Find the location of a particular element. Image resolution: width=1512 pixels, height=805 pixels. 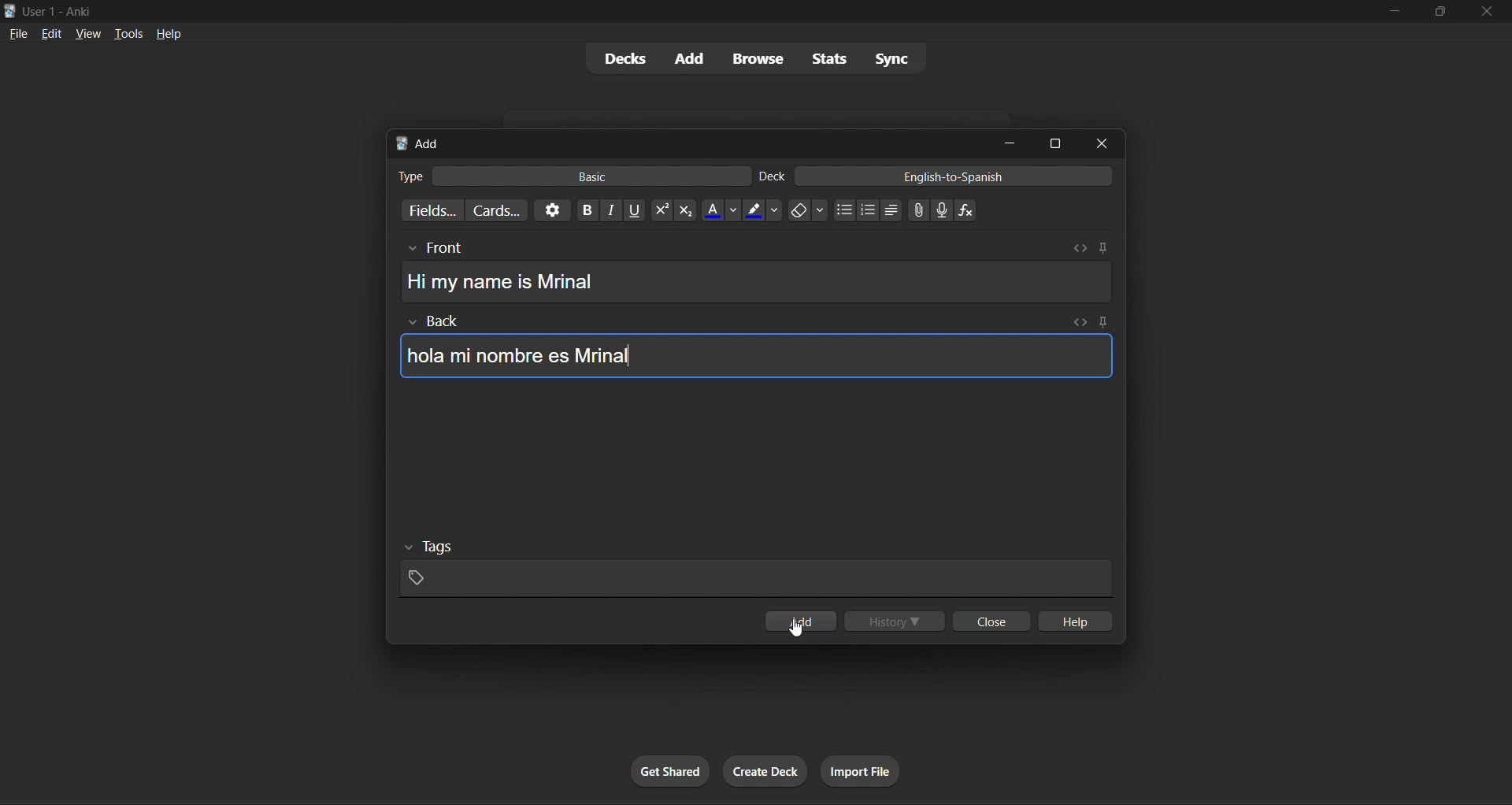

close is located at coordinates (1106, 143).